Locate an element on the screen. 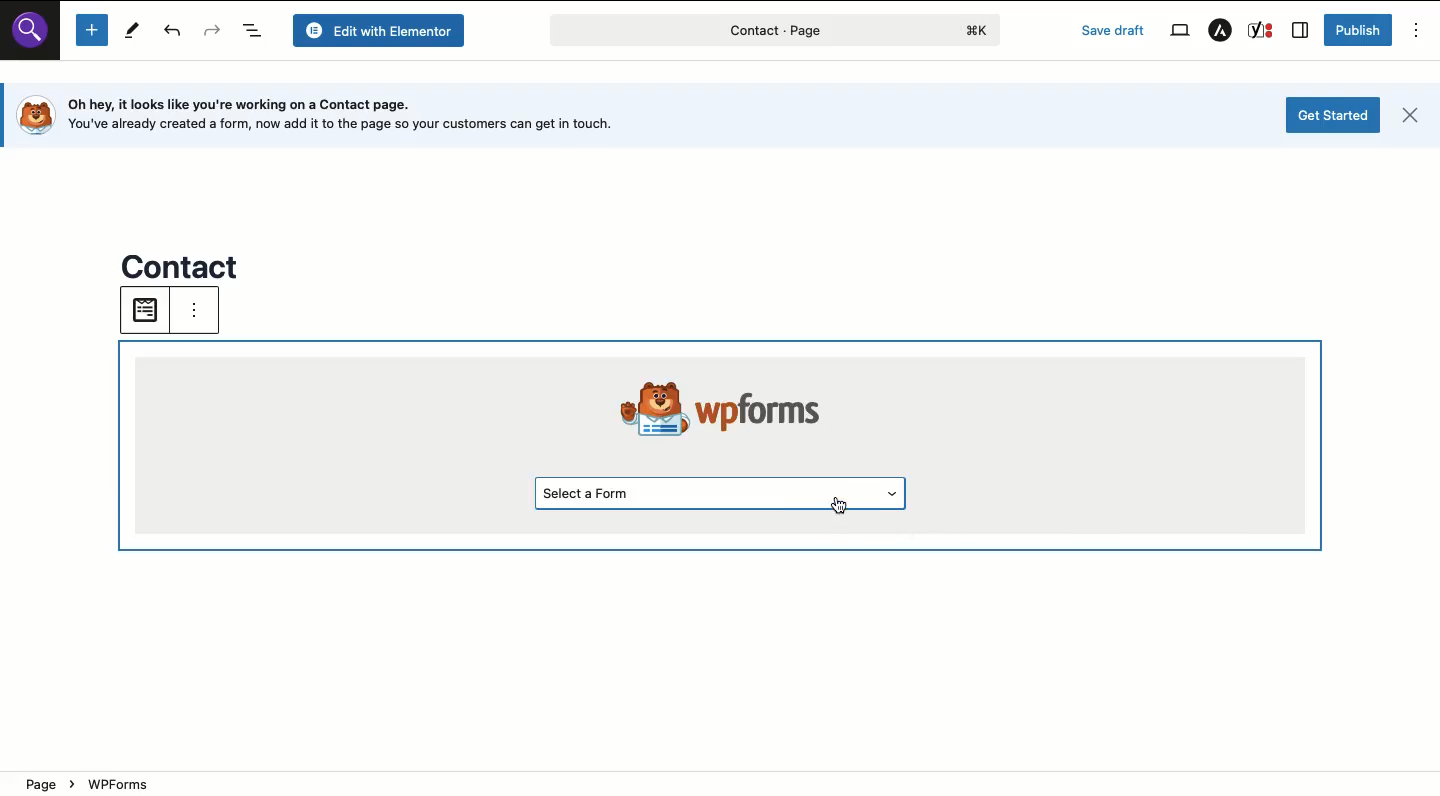 The width and height of the screenshot is (1440, 796). Document overview is located at coordinates (255, 31).